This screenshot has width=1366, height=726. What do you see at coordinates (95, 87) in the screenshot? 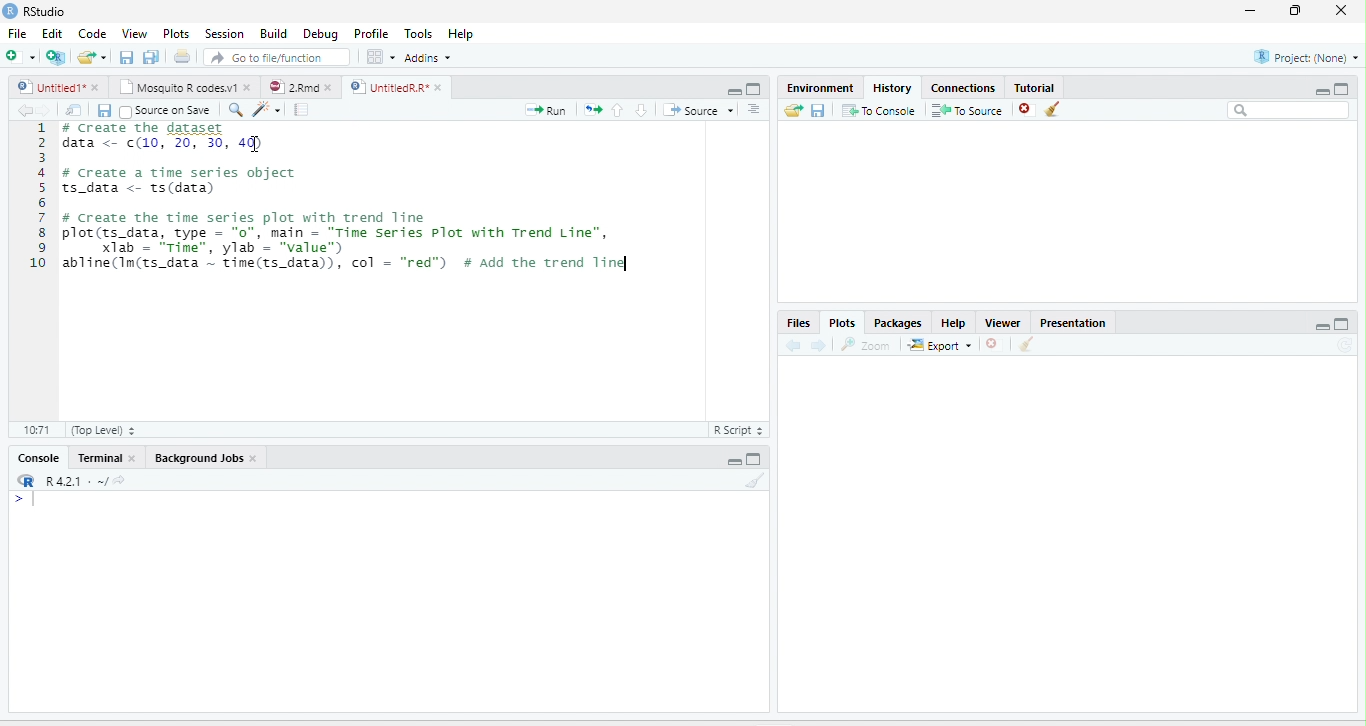
I see `close` at bounding box center [95, 87].